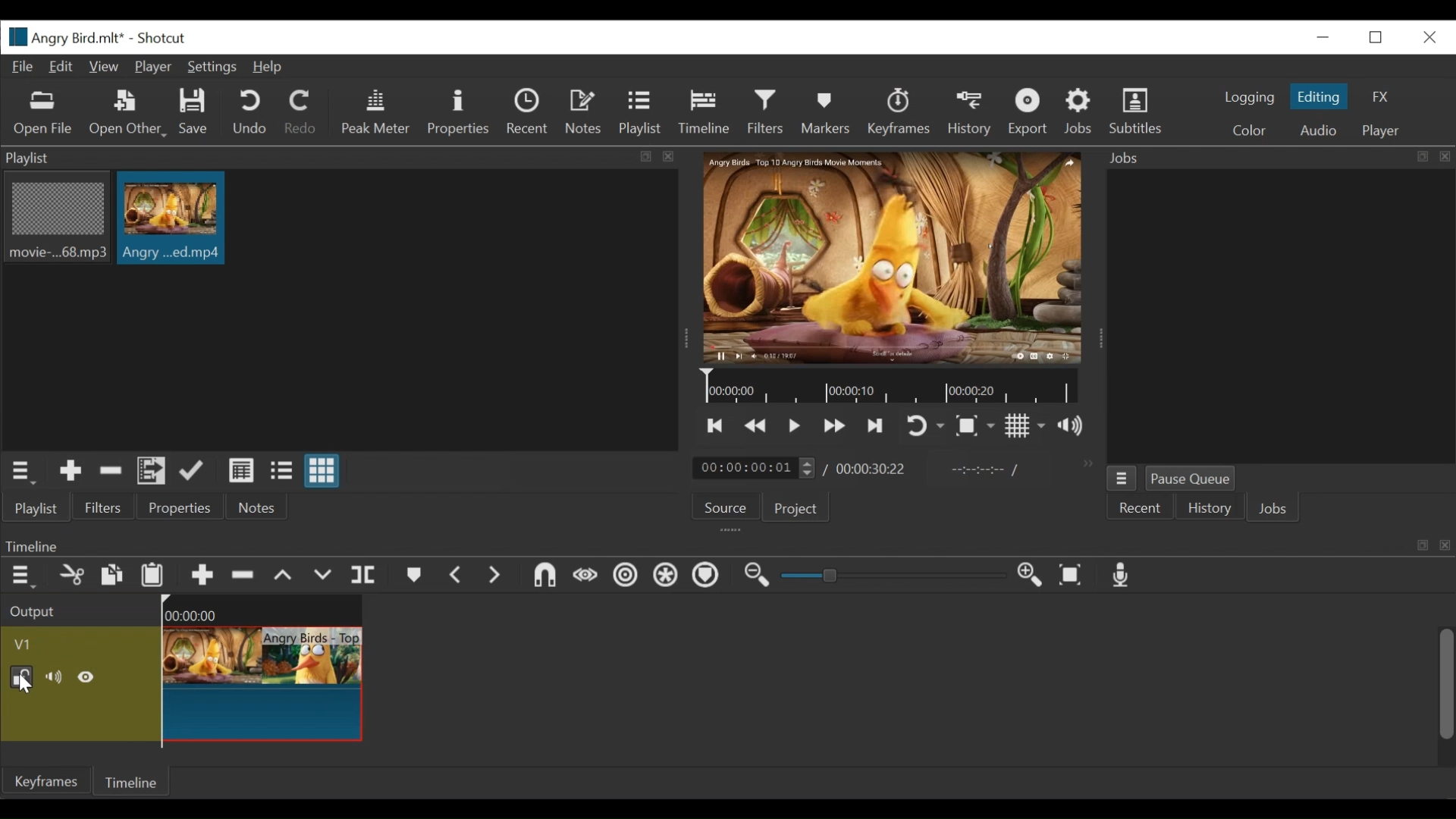  Describe the element at coordinates (37, 509) in the screenshot. I see `Playlist` at that location.